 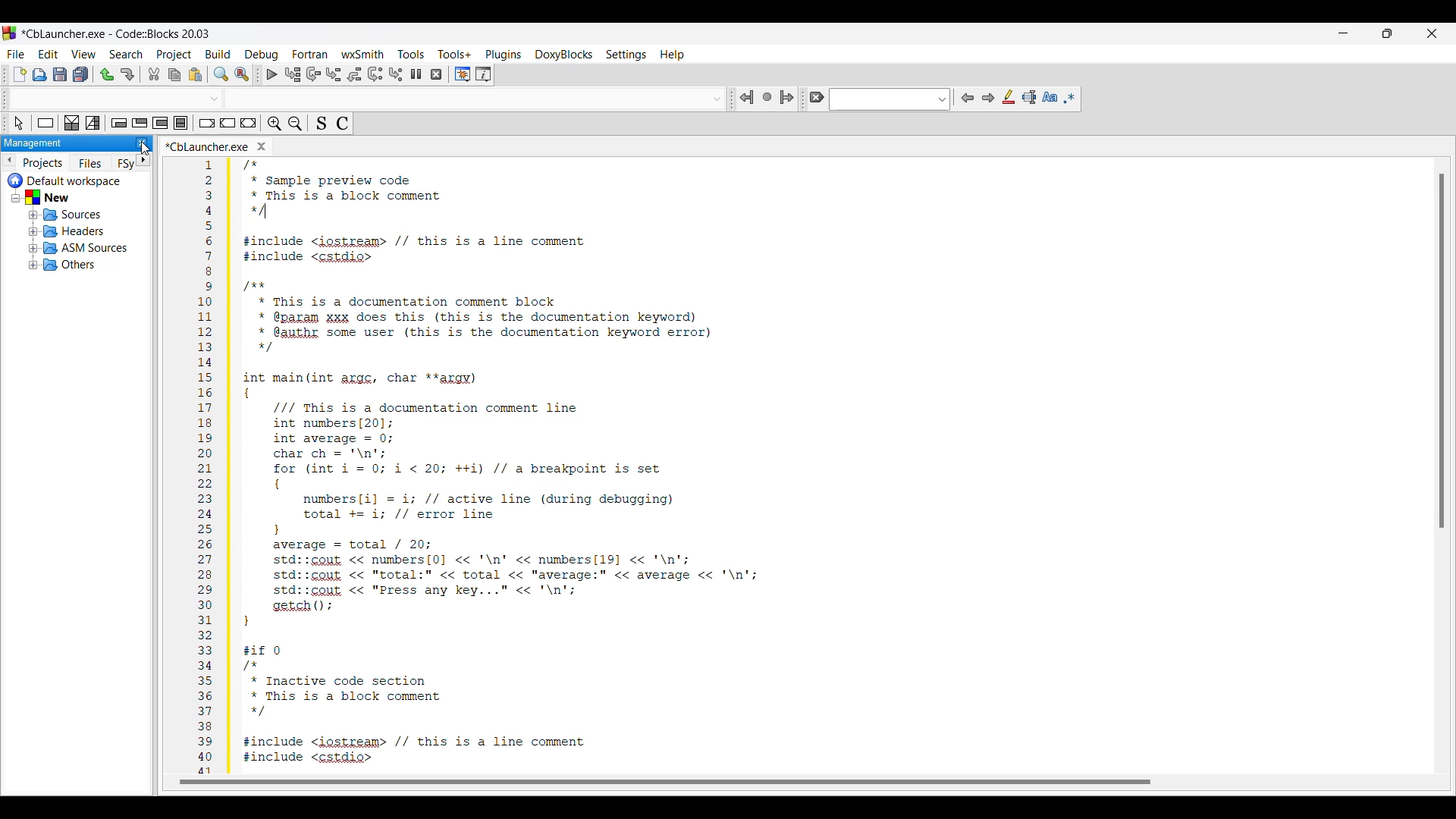 What do you see at coordinates (563, 55) in the screenshot?
I see `DoxyBlocks menu` at bounding box center [563, 55].